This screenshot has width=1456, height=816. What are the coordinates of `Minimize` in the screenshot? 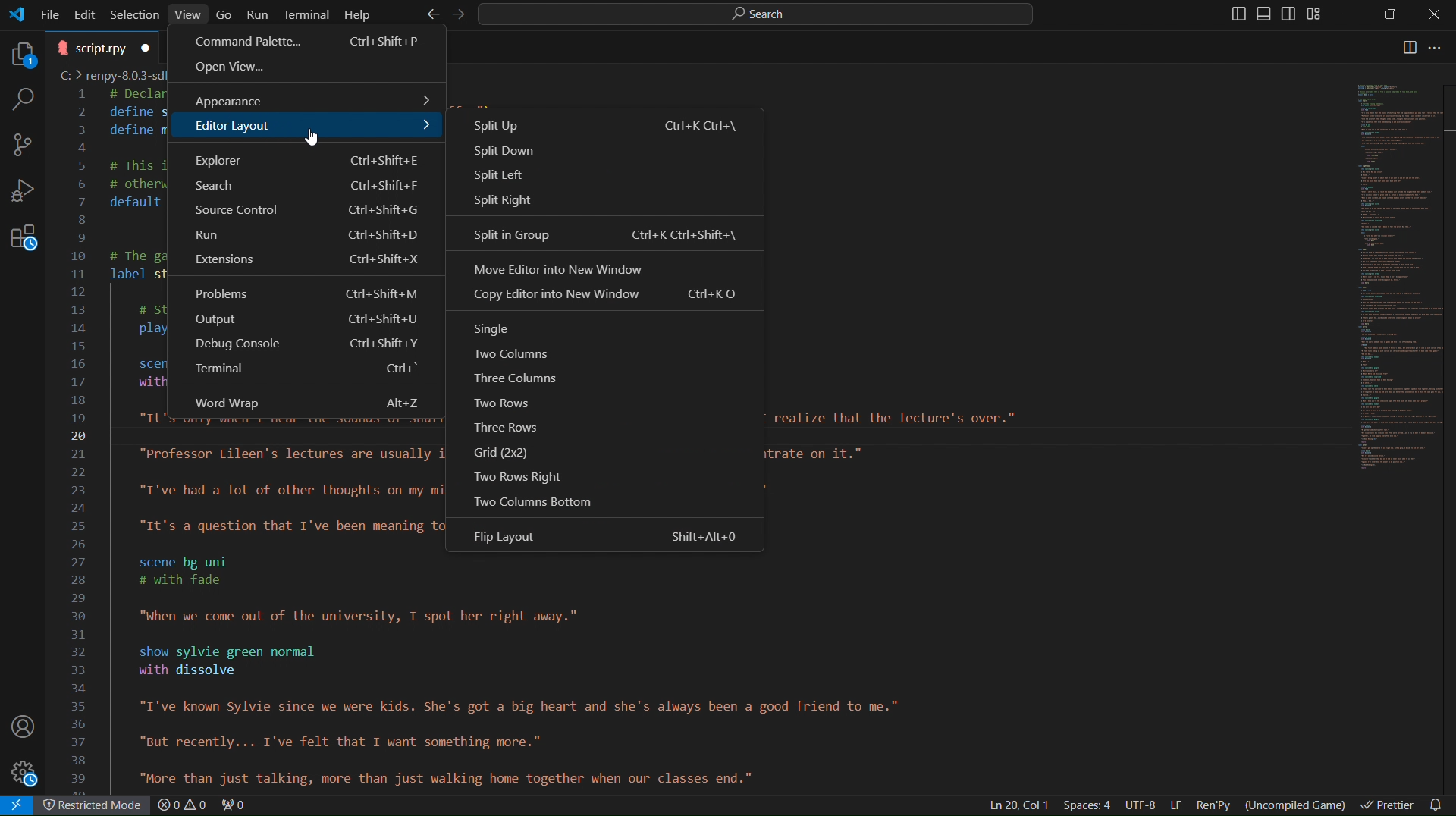 It's located at (1351, 14).